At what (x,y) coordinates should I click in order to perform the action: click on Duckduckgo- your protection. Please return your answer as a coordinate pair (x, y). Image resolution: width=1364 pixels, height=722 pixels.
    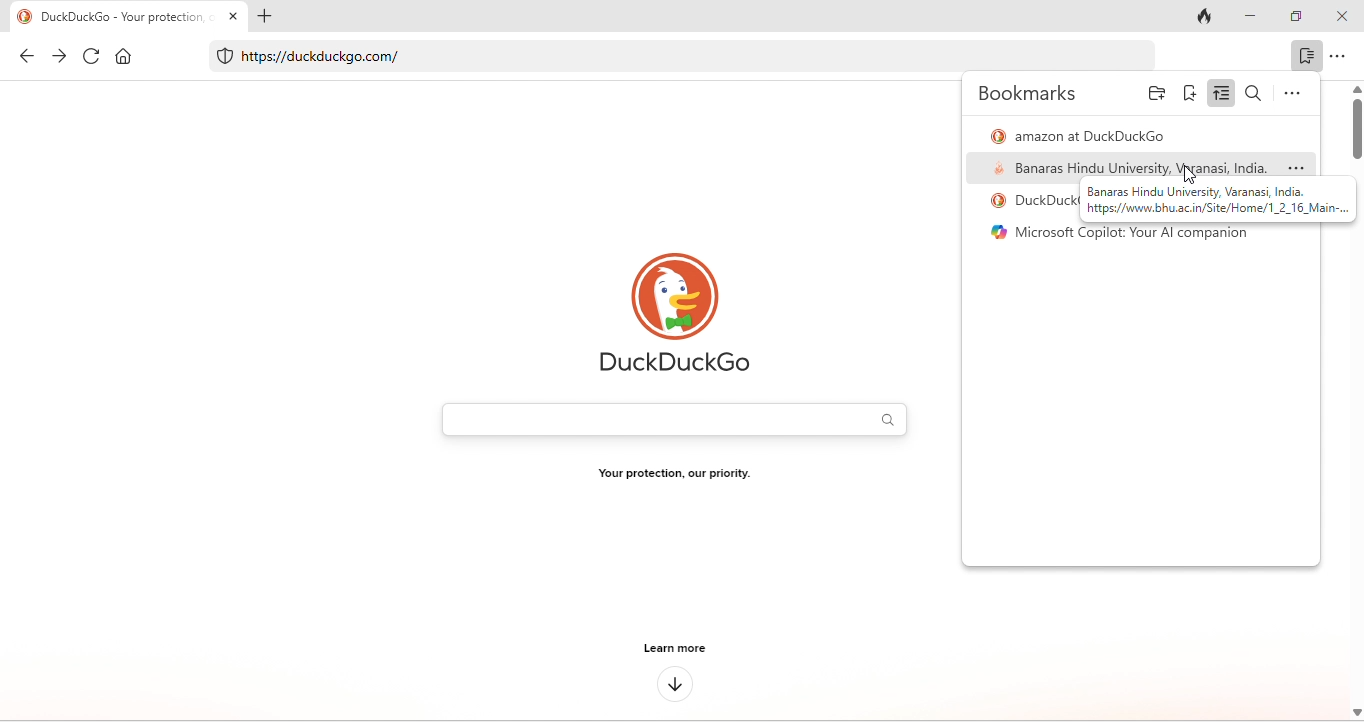
    Looking at the image, I should click on (133, 16).